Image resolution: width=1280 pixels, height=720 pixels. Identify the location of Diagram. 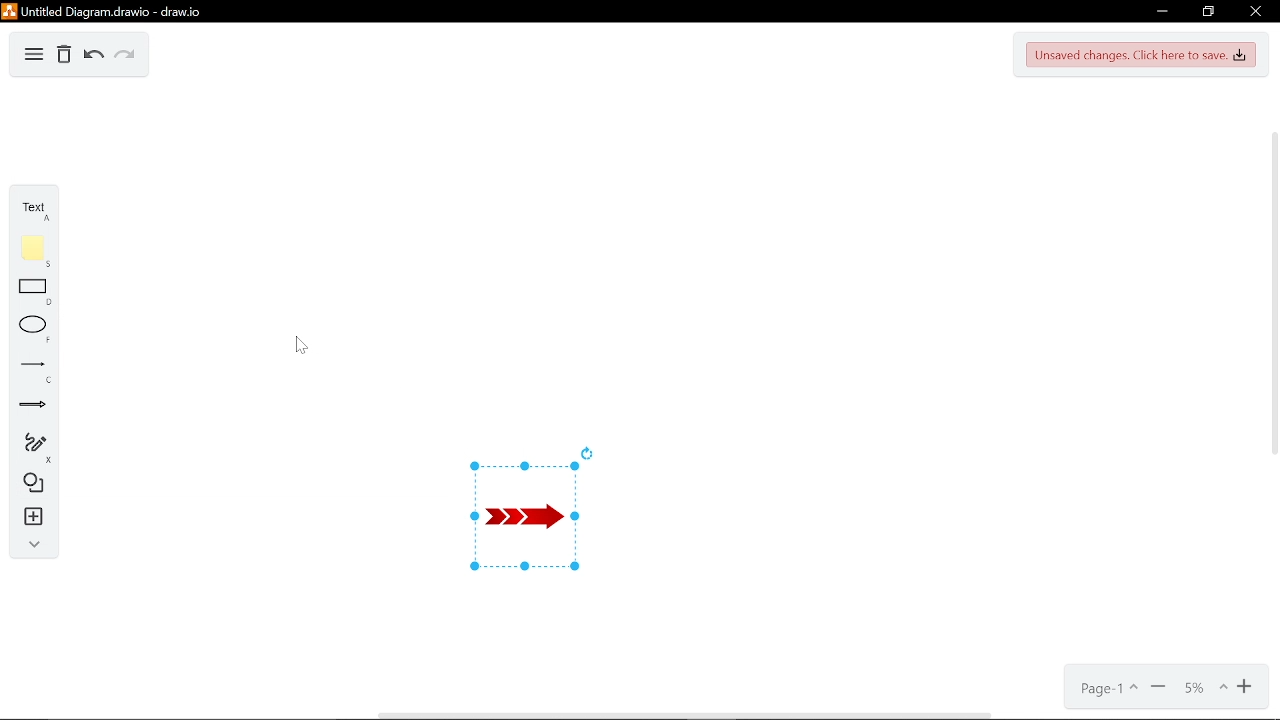
(33, 57).